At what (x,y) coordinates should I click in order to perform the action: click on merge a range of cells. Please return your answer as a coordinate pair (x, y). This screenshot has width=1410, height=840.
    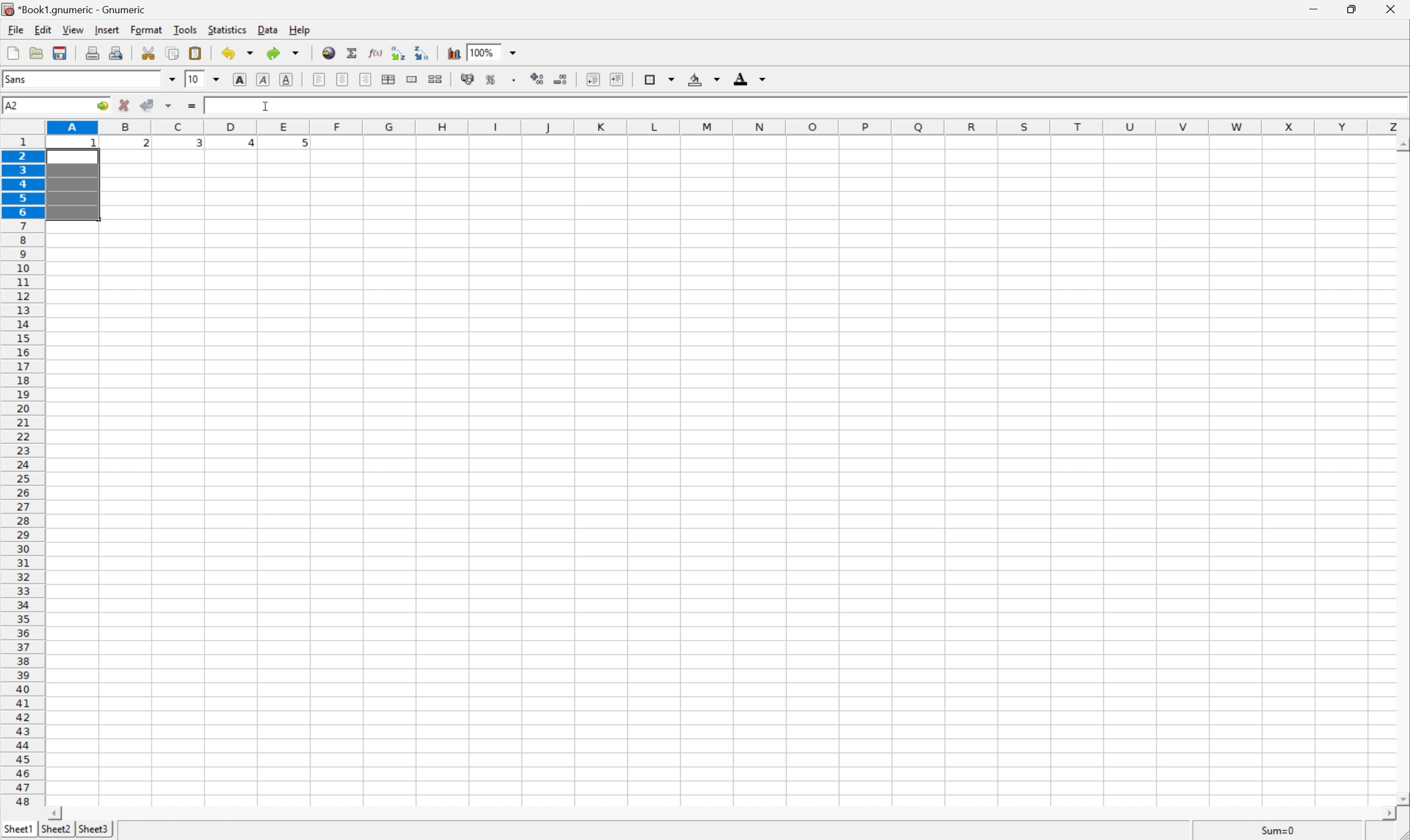
    Looking at the image, I should click on (413, 80).